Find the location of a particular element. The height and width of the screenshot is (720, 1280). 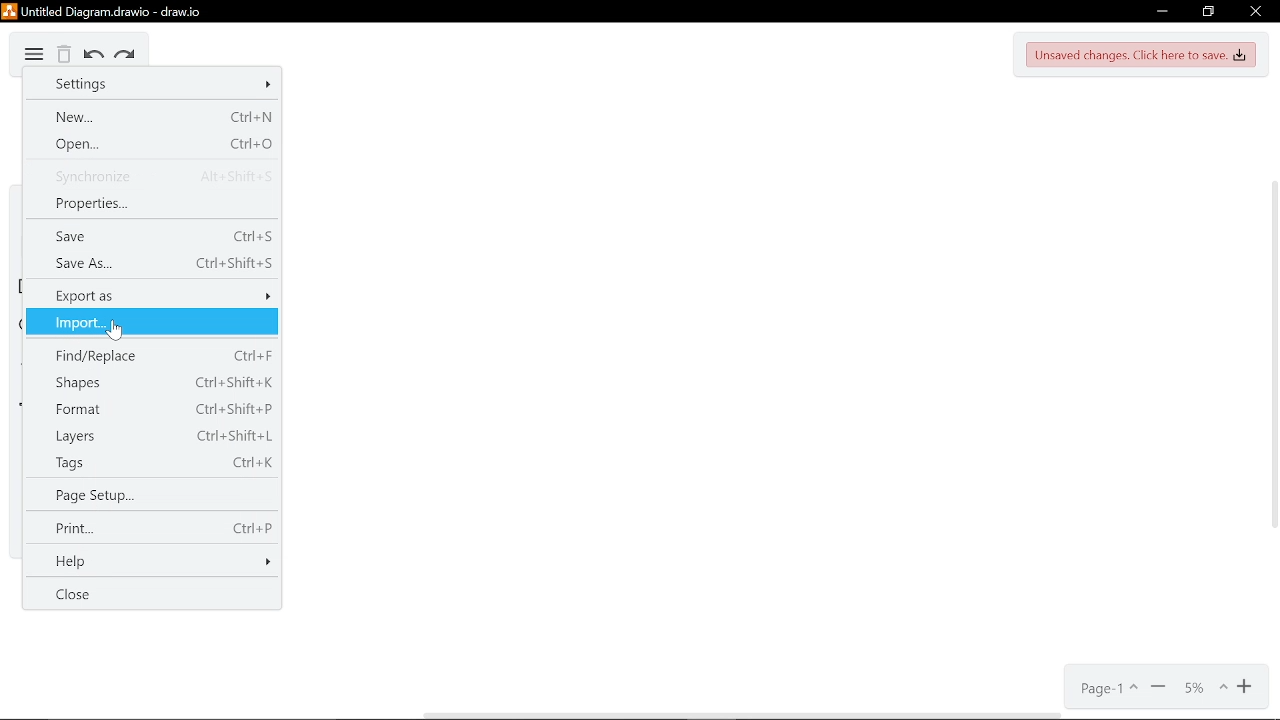

Page options is located at coordinates (1106, 687).